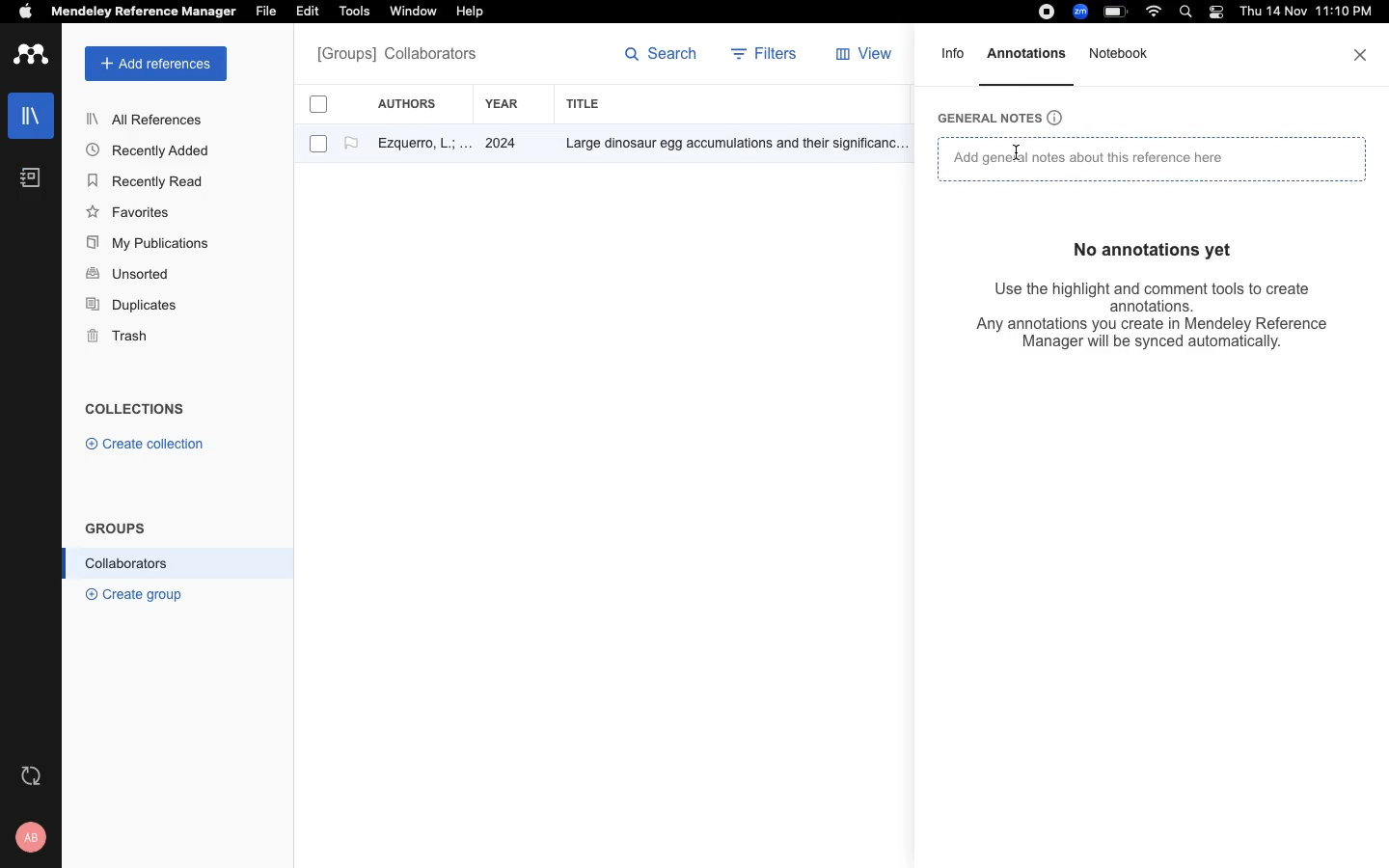  Describe the element at coordinates (133, 306) in the screenshot. I see `Duplicates` at that location.